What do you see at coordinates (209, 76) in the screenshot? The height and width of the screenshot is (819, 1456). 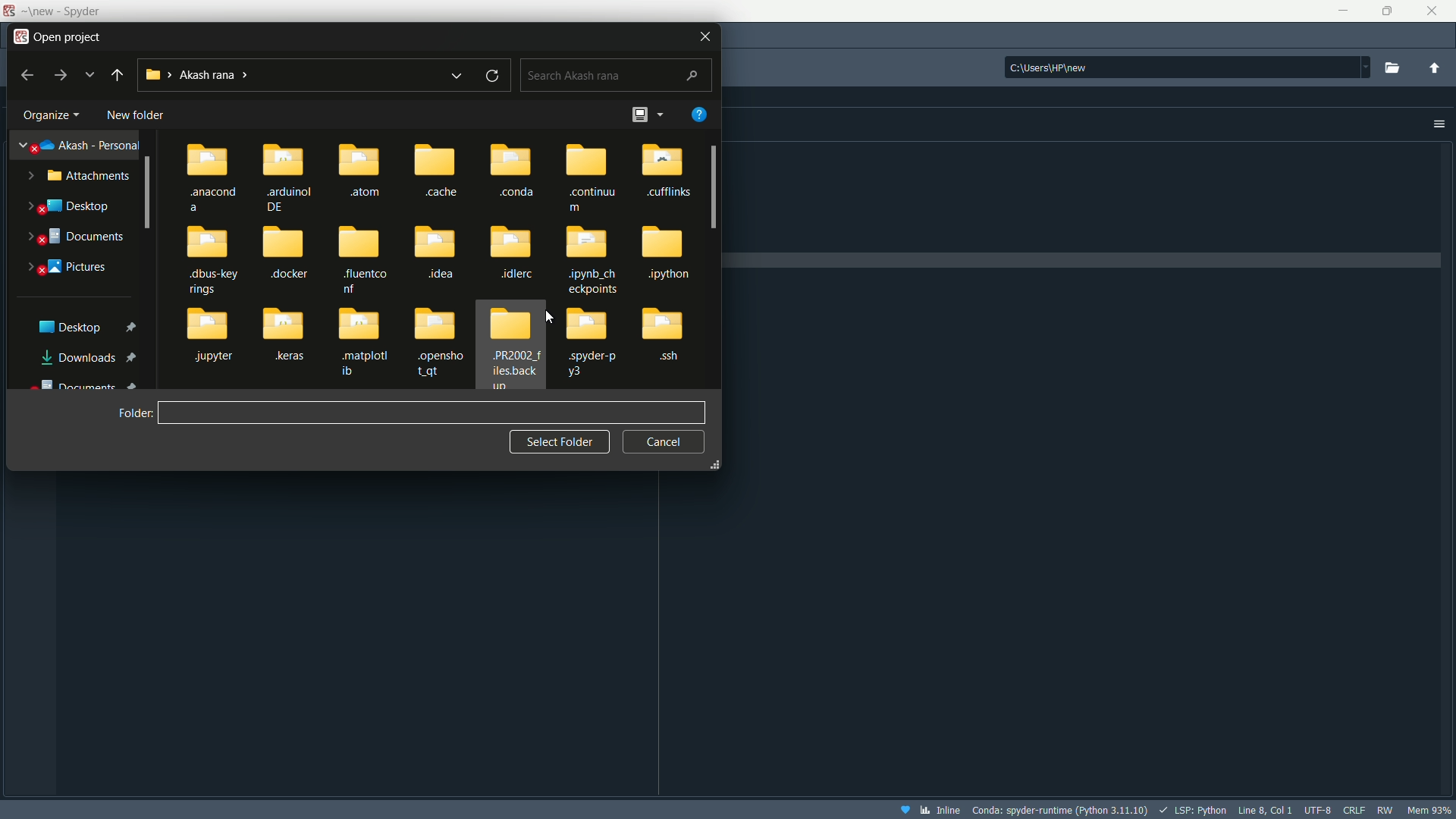 I see `current directory` at bounding box center [209, 76].